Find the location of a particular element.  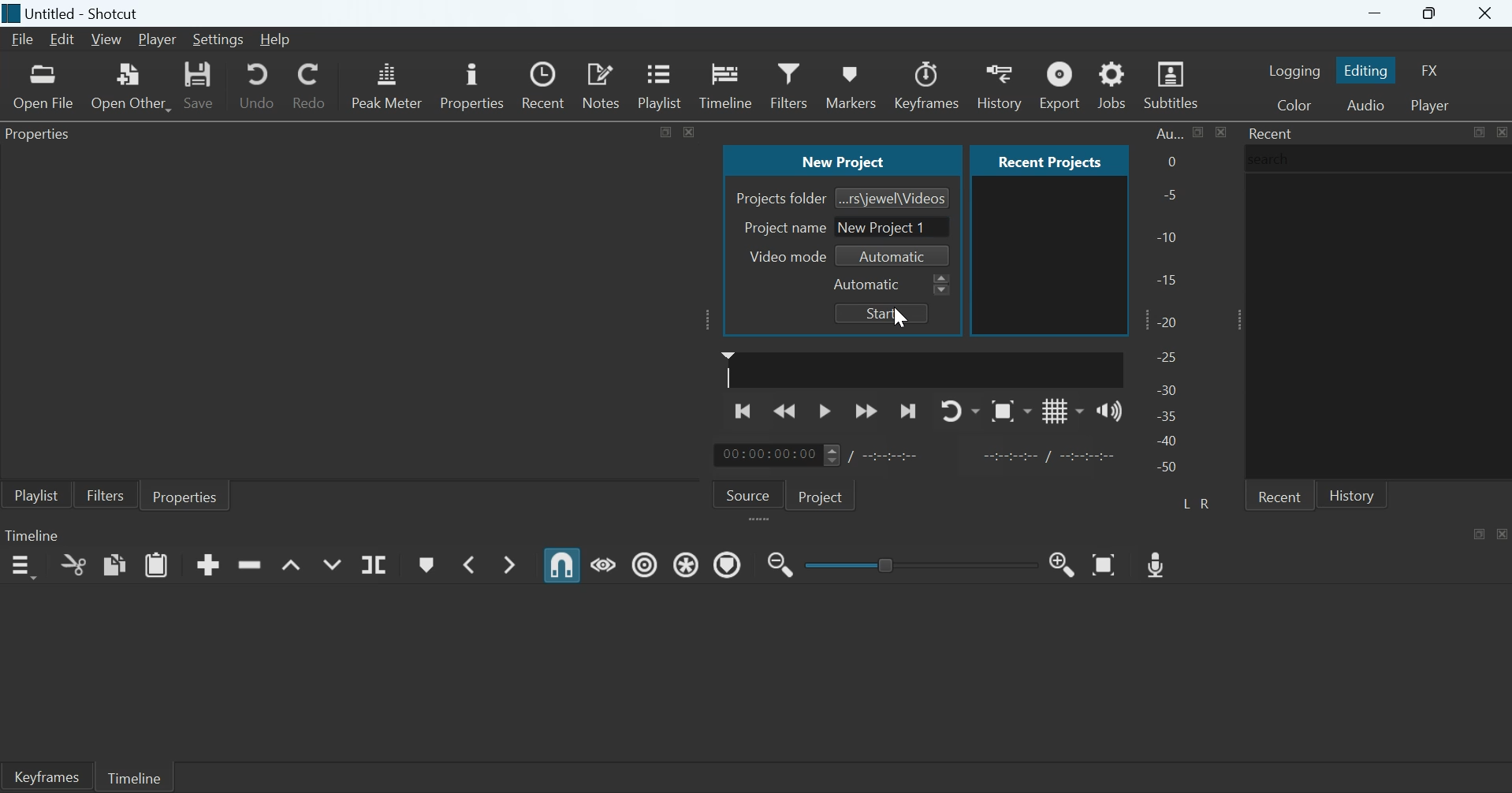

Audio Peak meter is located at coordinates (387, 83).